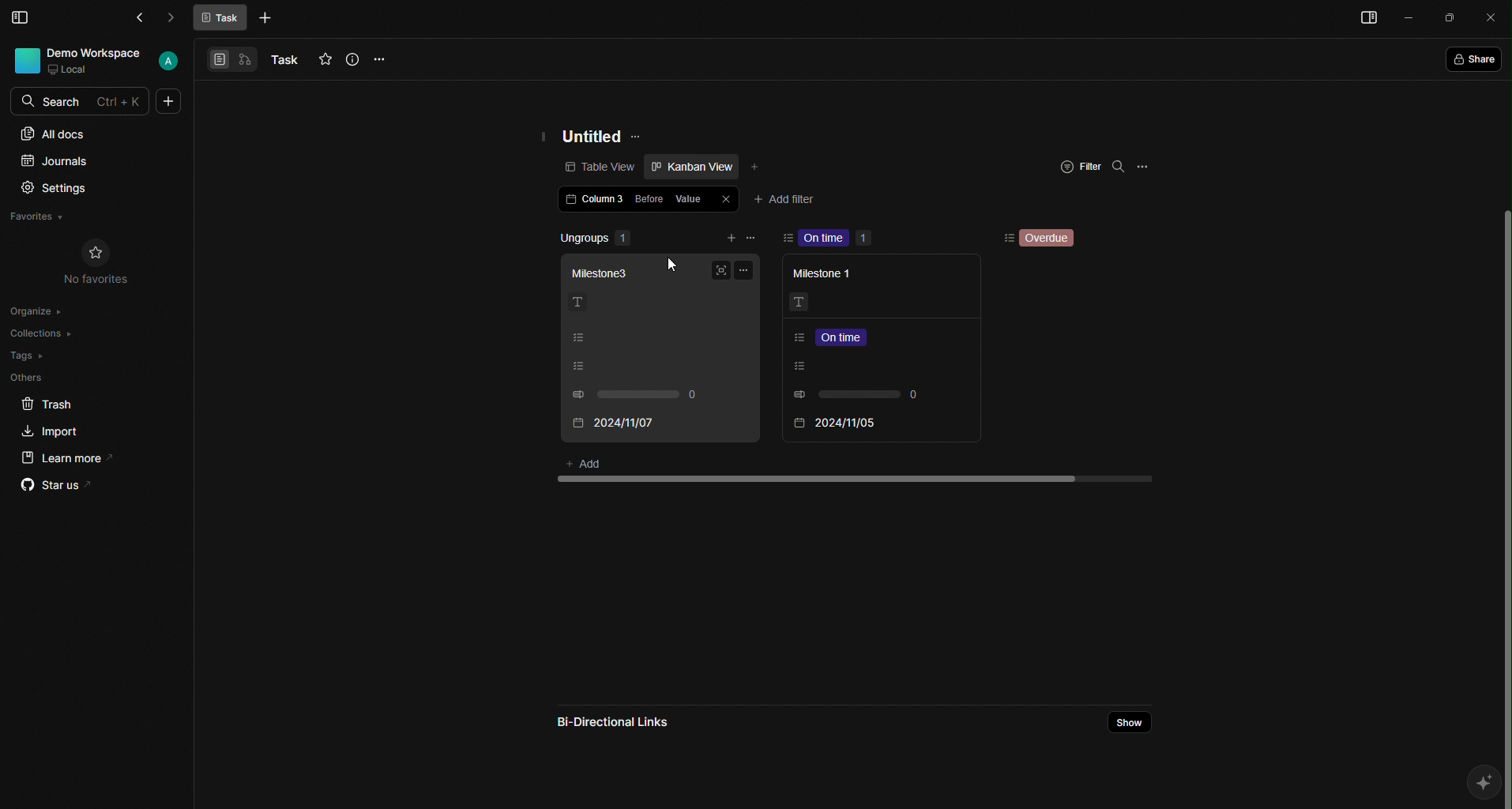  Describe the element at coordinates (627, 238) in the screenshot. I see `Ungroups` at that location.